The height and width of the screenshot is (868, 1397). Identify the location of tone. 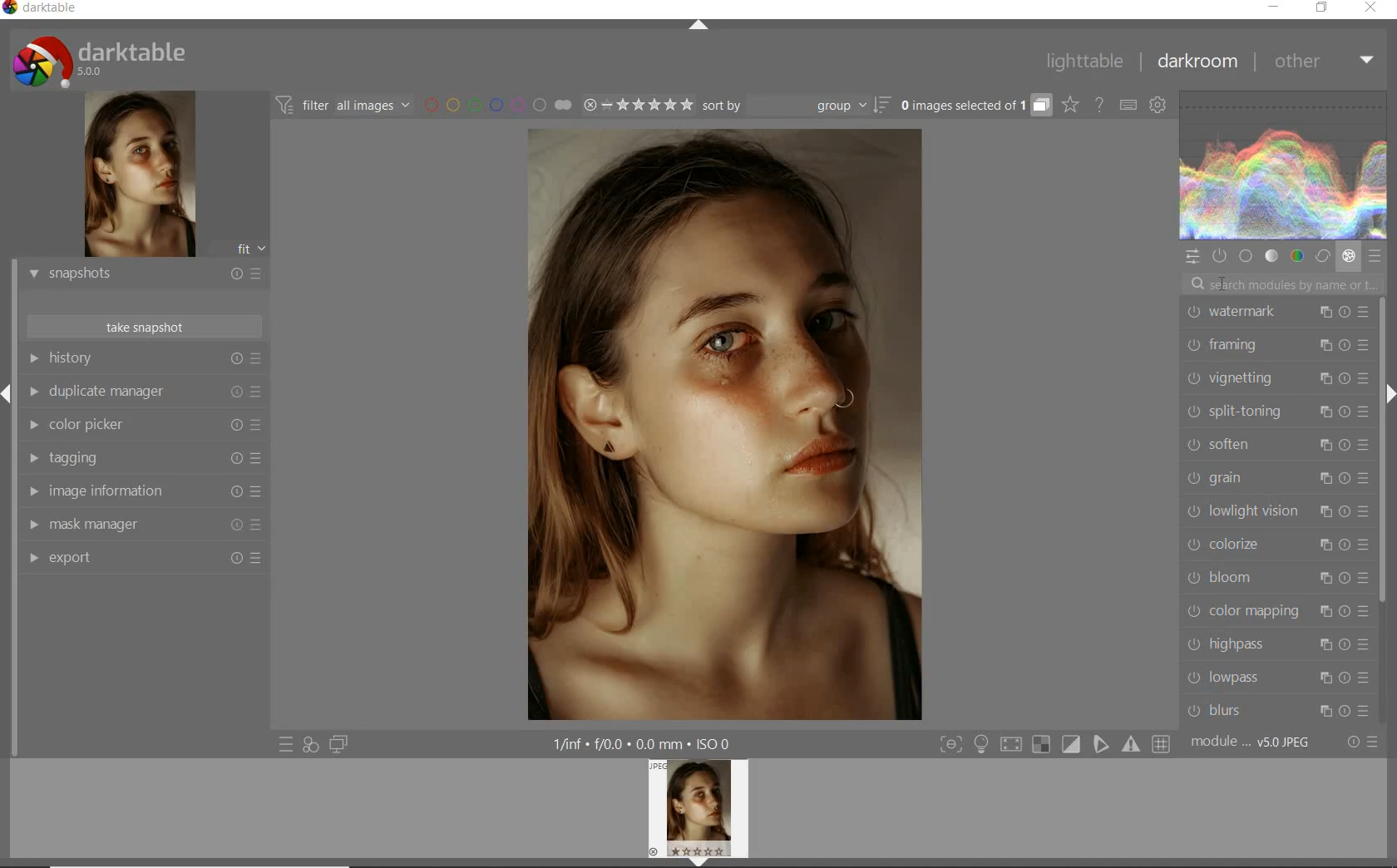
(1271, 256).